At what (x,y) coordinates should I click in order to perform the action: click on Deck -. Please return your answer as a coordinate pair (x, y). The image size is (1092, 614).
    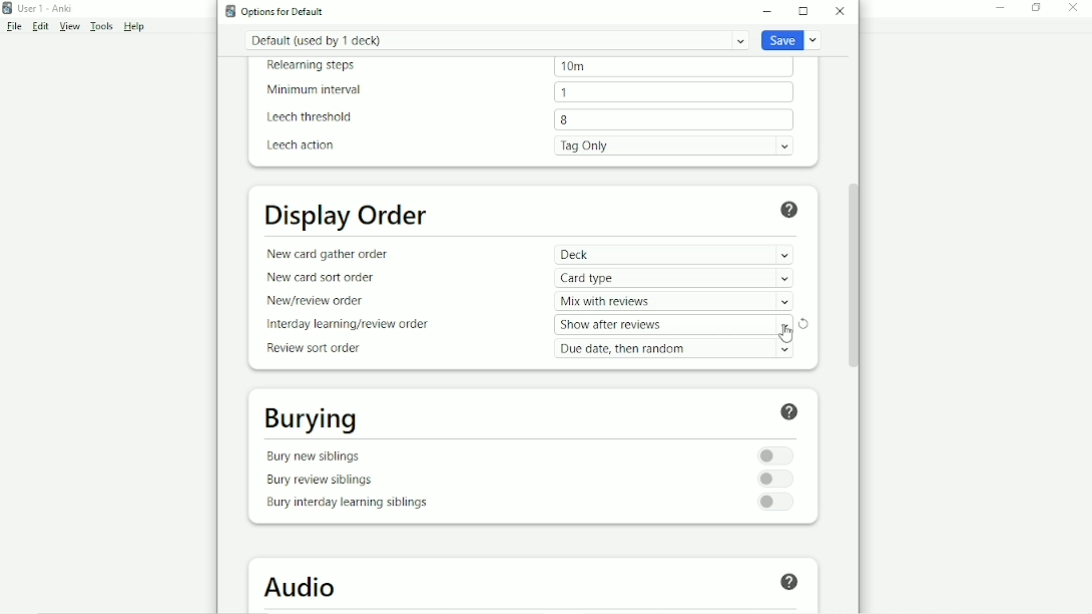
    Looking at the image, I should click on (674, 255).